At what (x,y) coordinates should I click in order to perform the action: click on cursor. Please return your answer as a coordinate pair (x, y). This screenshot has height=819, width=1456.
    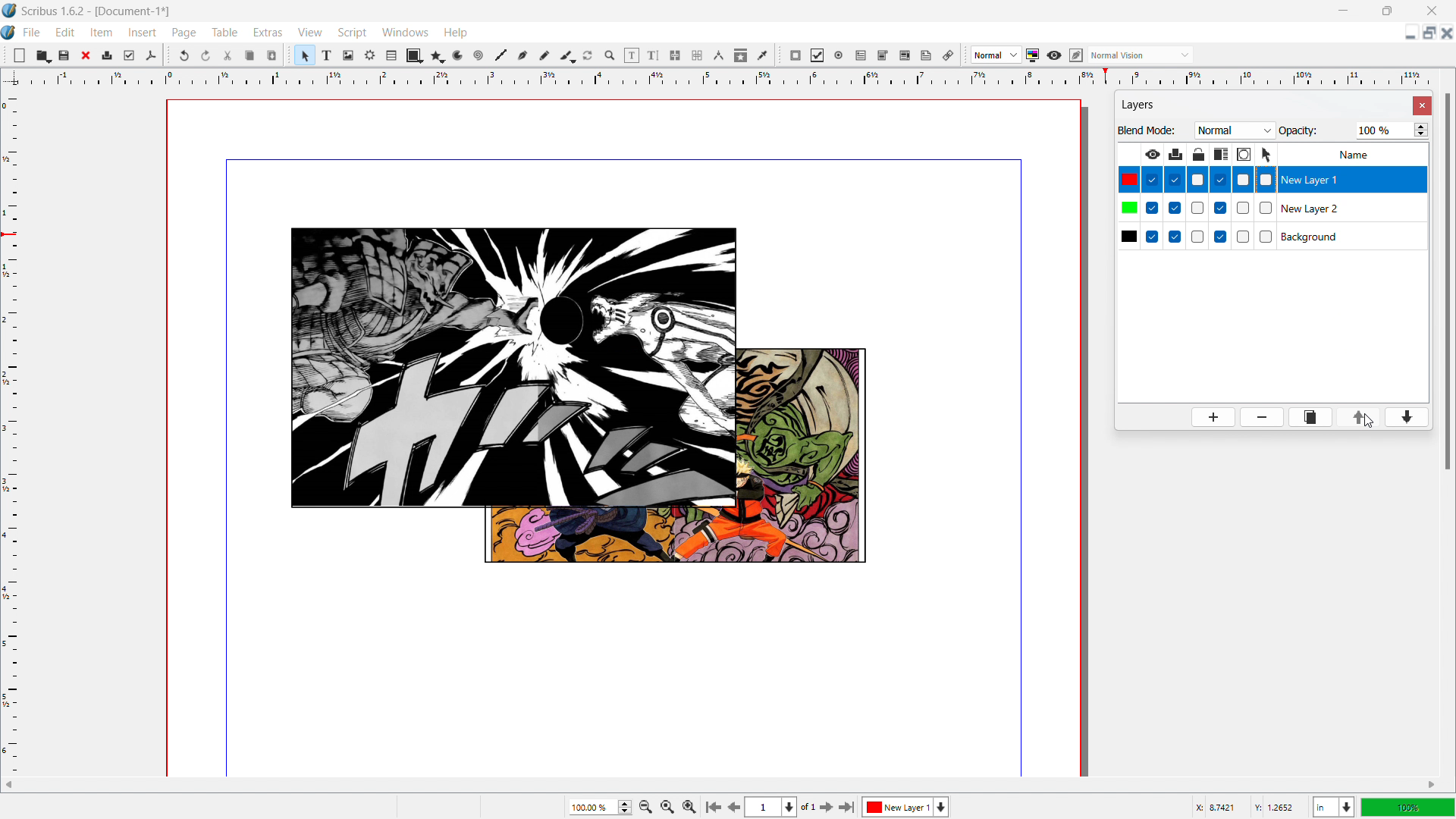
    Looking at the image, I should click on (1370, 421).